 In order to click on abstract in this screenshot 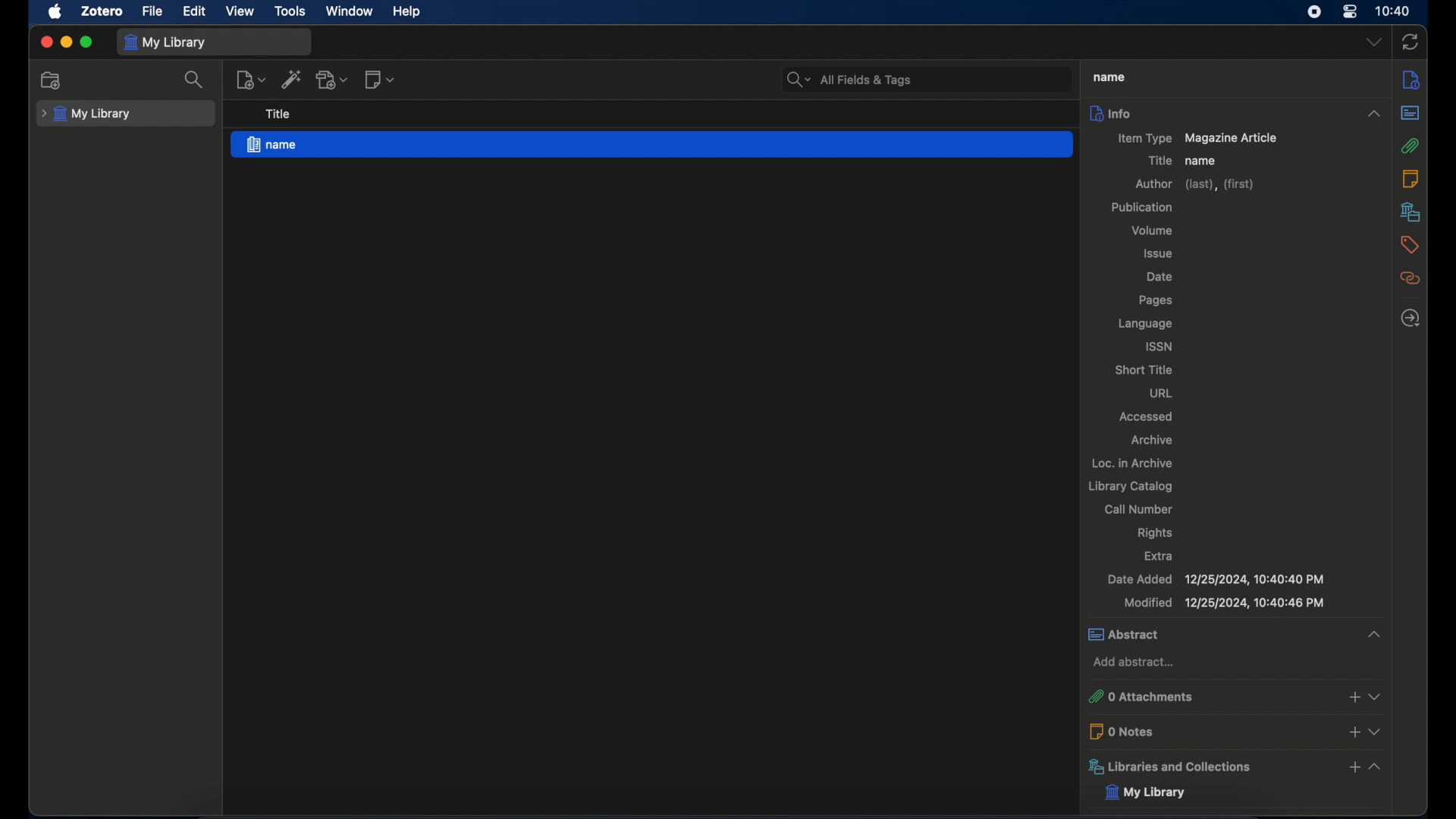, I will do `click(1235, 634)`.